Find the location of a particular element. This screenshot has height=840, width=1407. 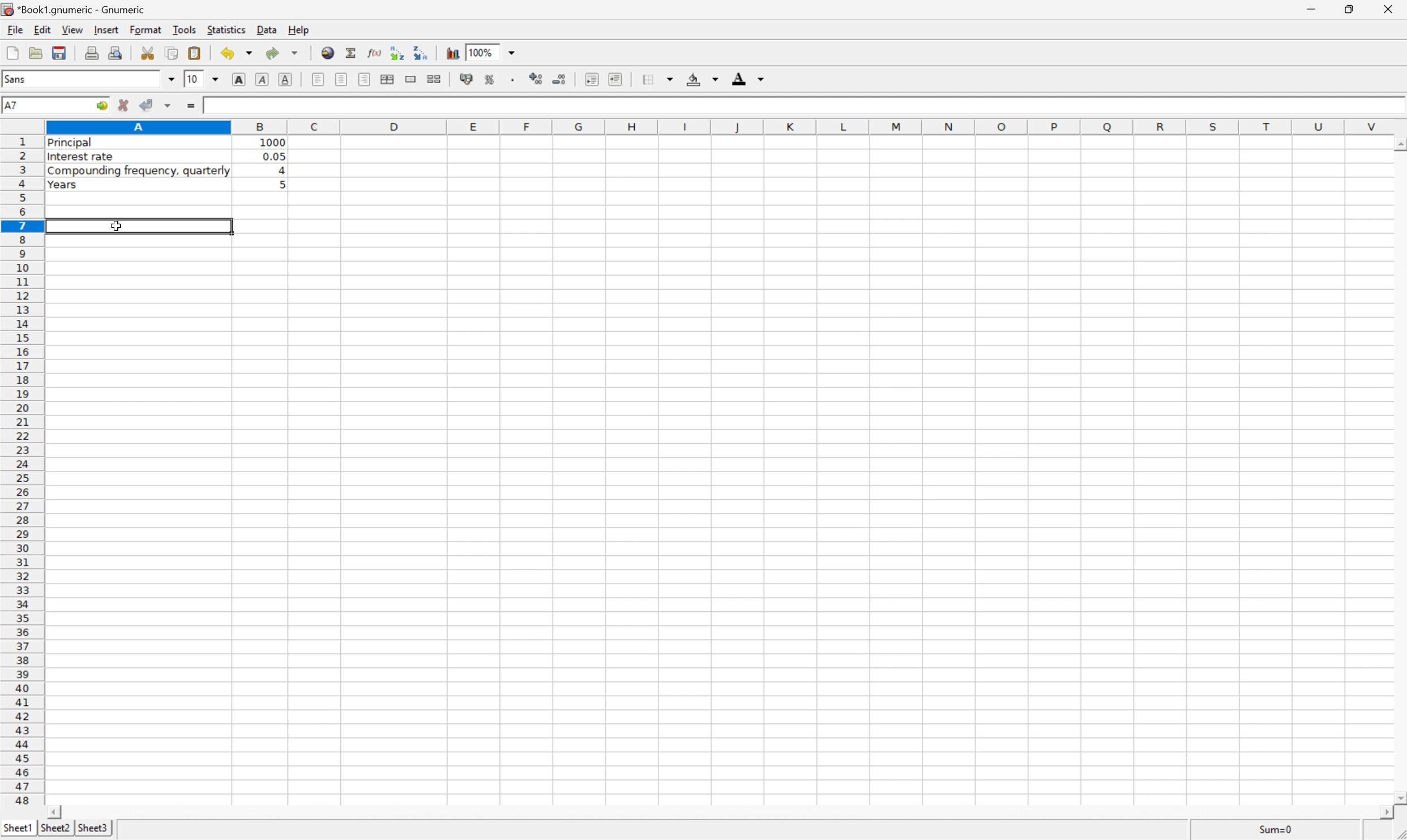

increase number of decimals displayed is located at coordinates (537, 79).